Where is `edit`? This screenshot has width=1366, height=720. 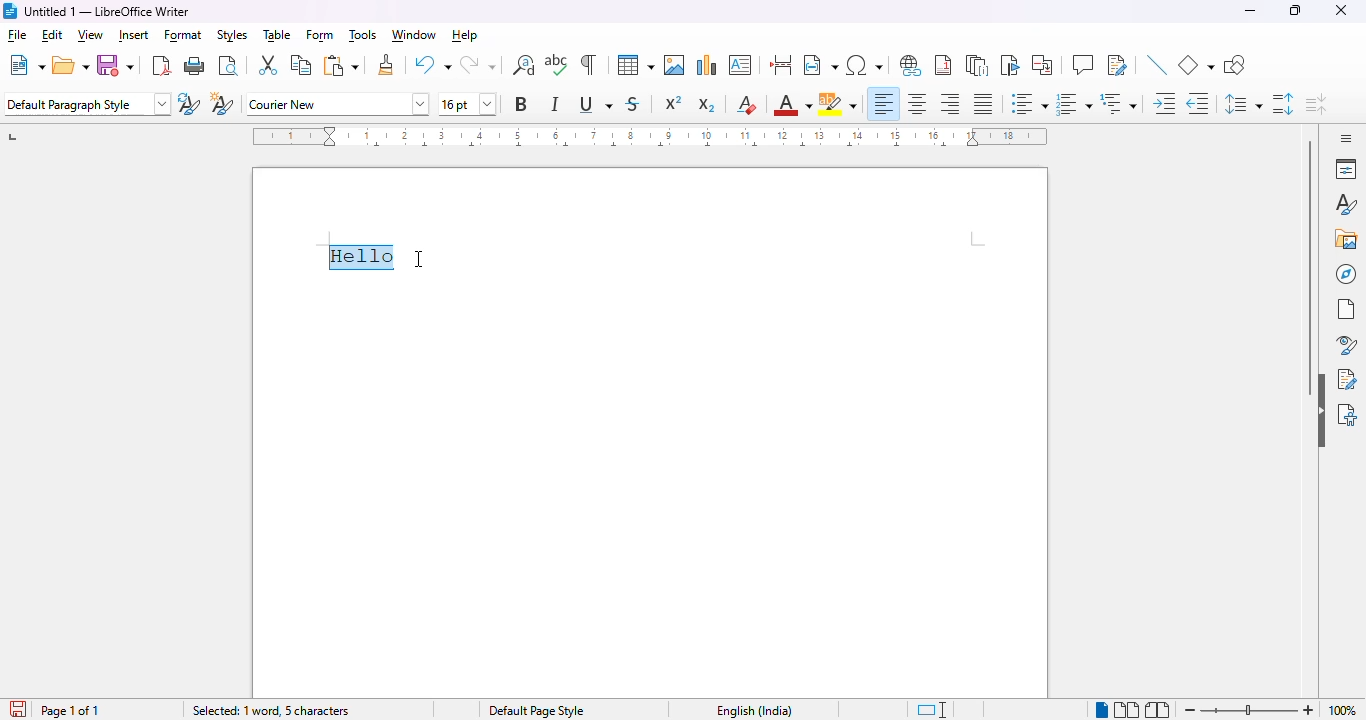 edit is located at coordinates (53, 35).